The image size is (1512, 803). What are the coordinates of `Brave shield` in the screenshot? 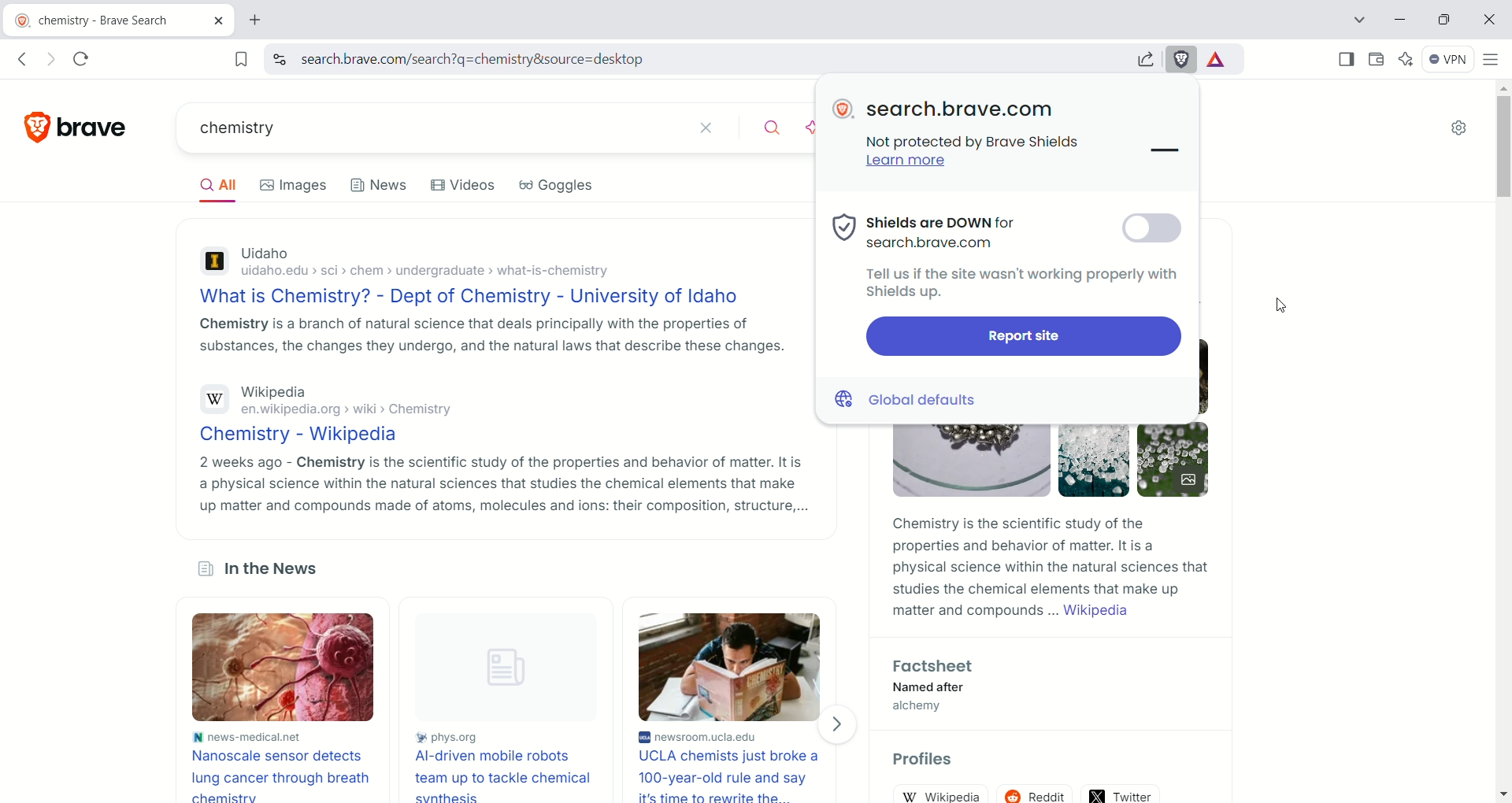 It's located at (1181, 60).